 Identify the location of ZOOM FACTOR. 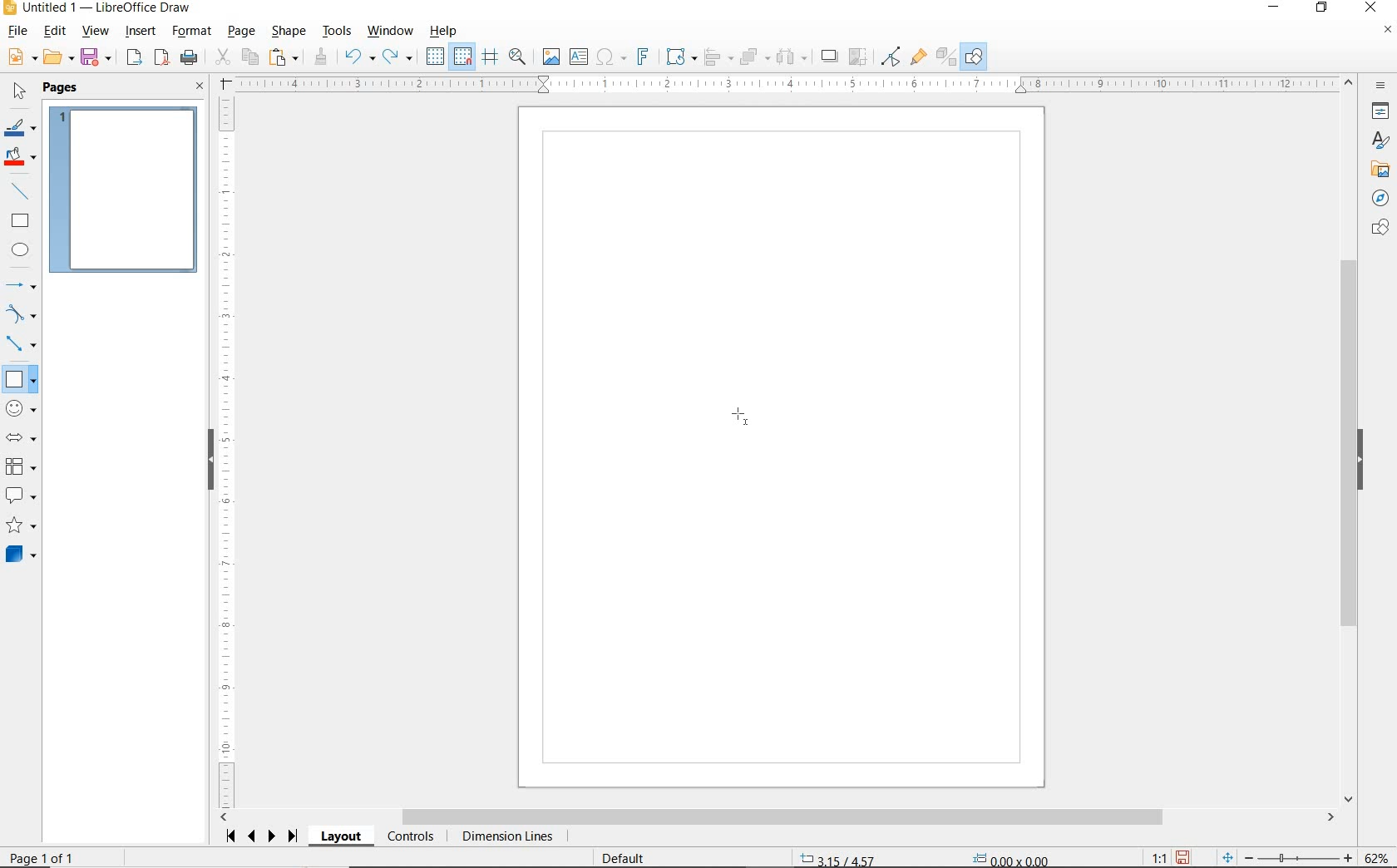
(1375, 858).